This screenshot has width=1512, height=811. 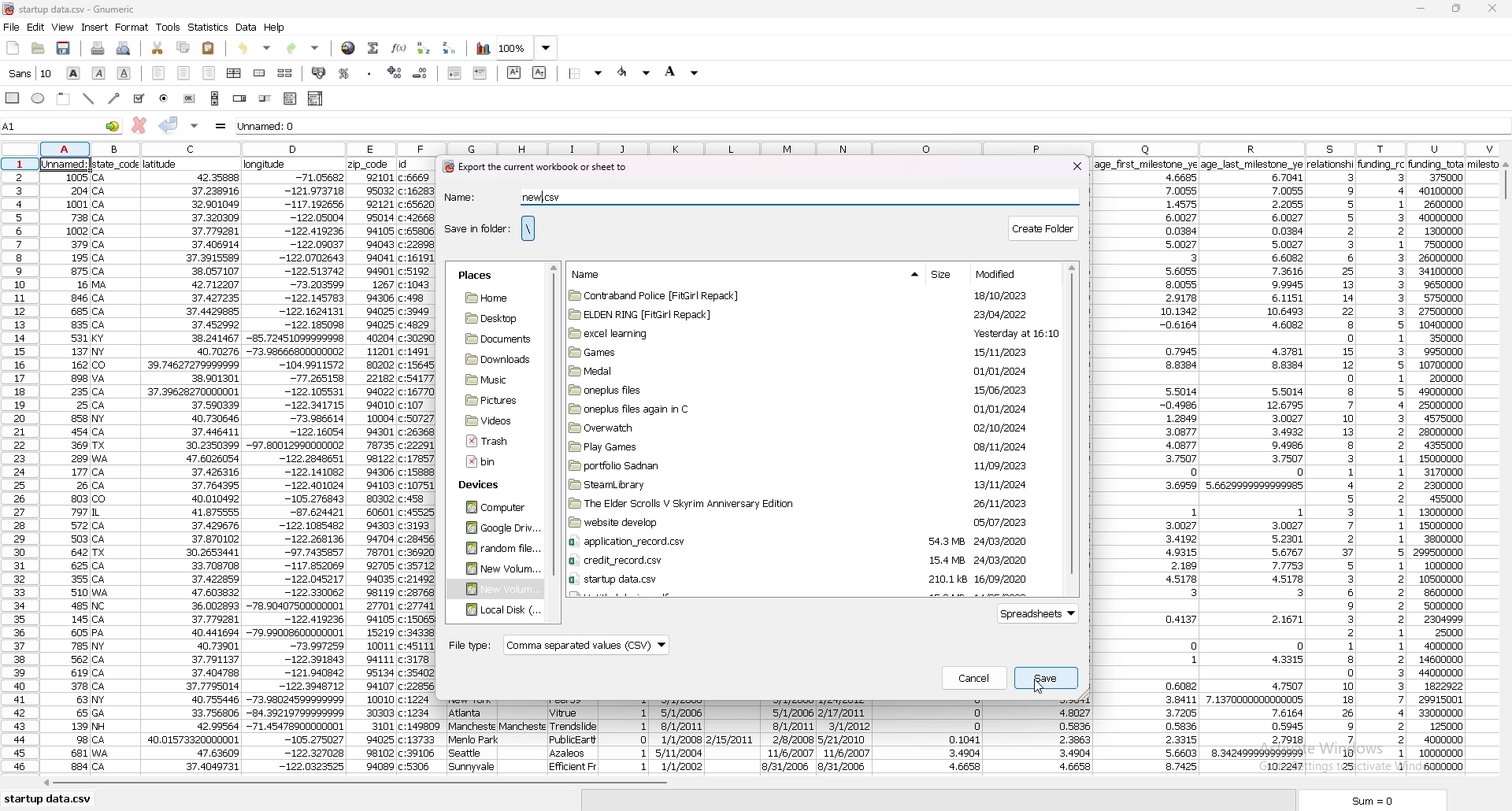 I want to click on path, so click(x=528, y=228).